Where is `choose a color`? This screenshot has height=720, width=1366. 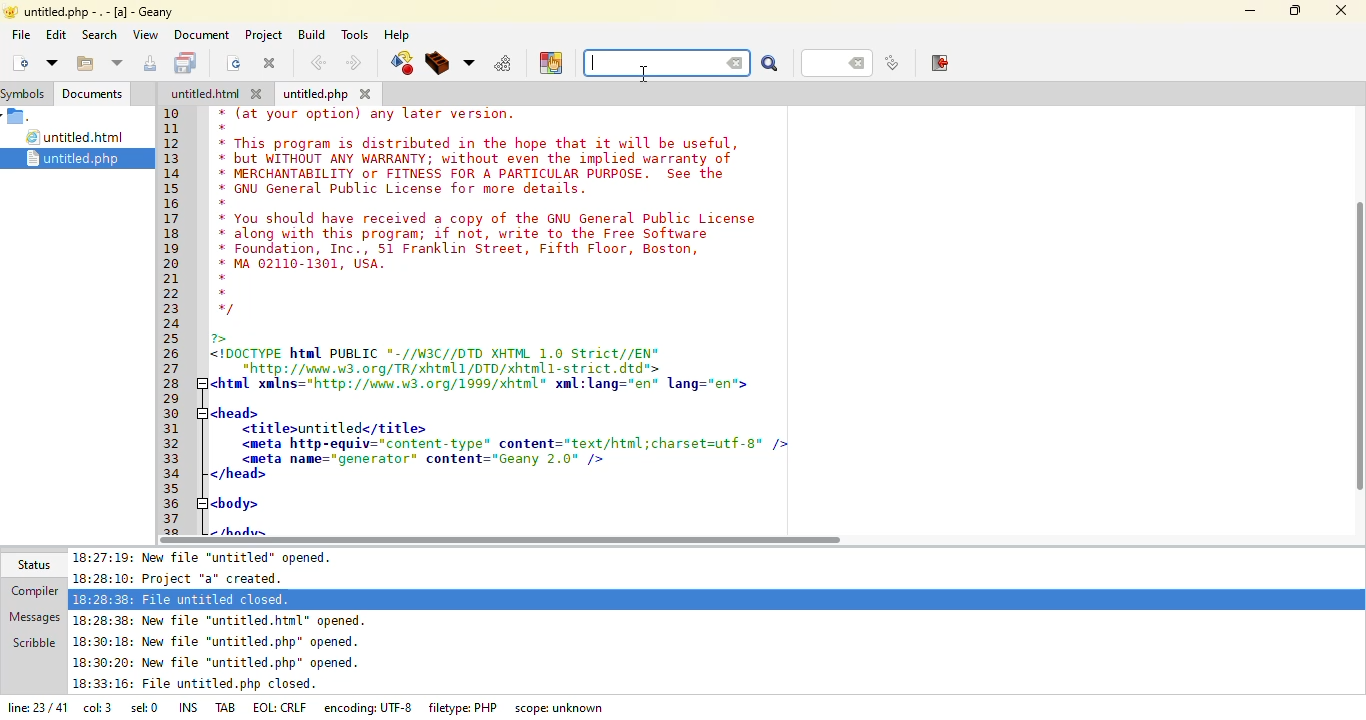 choose a color is located at coordinates (551, 62).